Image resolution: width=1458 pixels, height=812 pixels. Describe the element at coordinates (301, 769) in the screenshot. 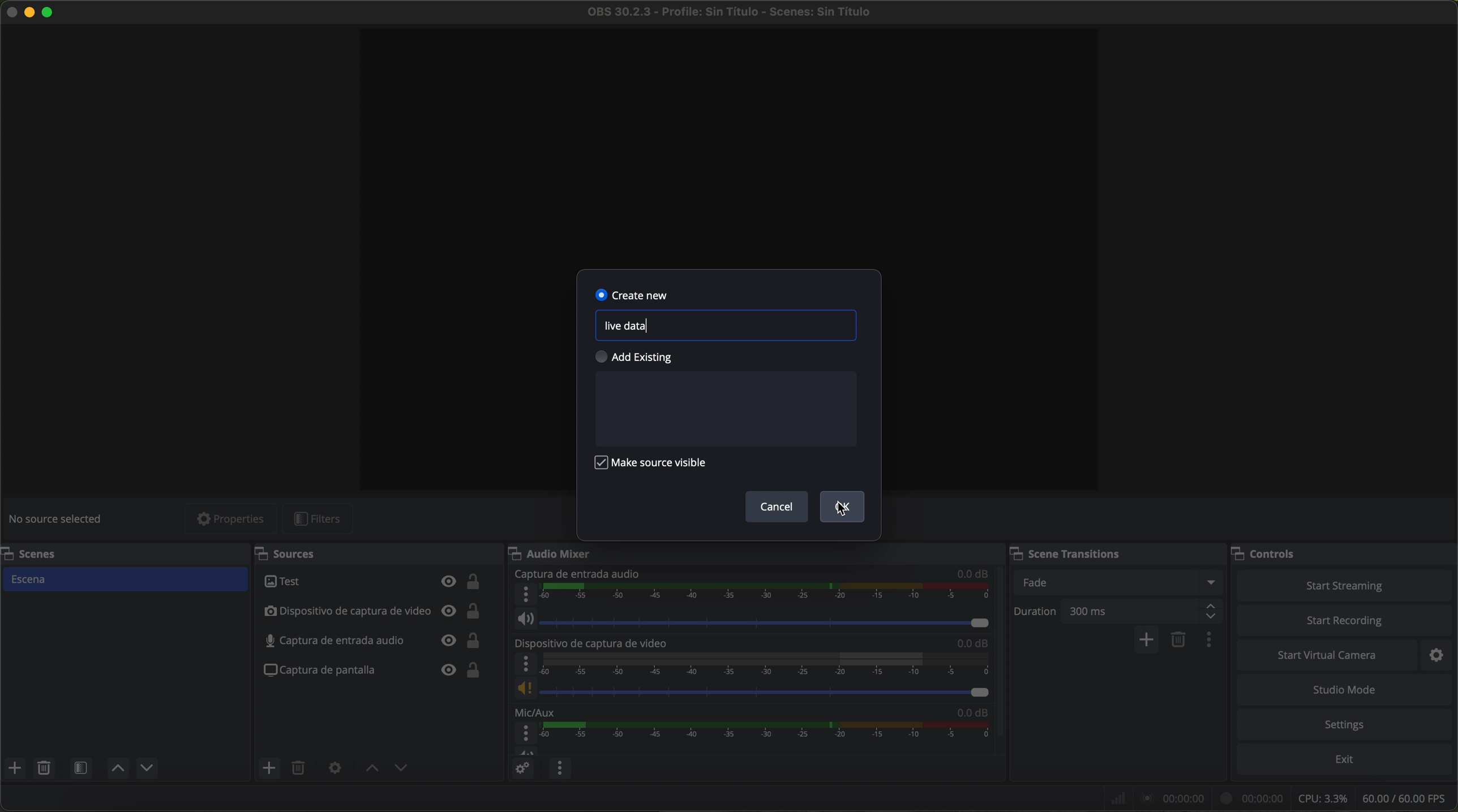

I see `remove selected sources` at that location.